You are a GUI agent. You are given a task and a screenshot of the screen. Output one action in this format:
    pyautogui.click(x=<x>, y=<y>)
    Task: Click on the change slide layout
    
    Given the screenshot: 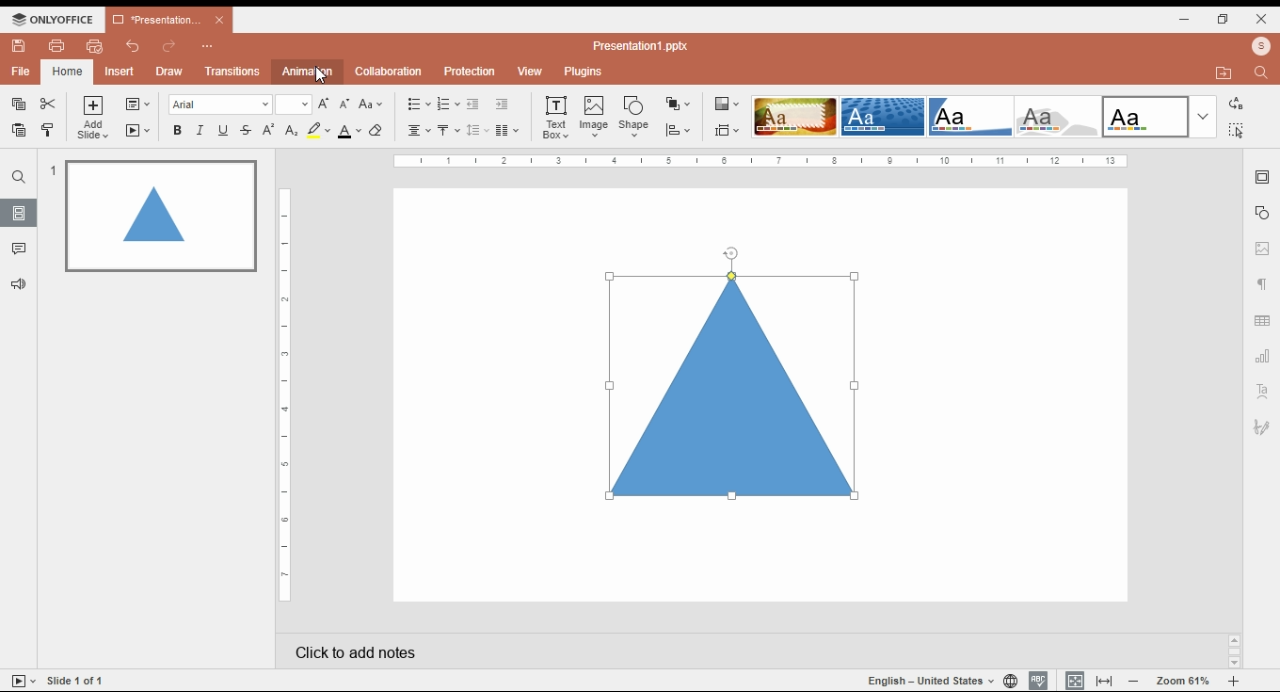 What is the action you would take?
    pyautogui.click(x=137, y=103)
    